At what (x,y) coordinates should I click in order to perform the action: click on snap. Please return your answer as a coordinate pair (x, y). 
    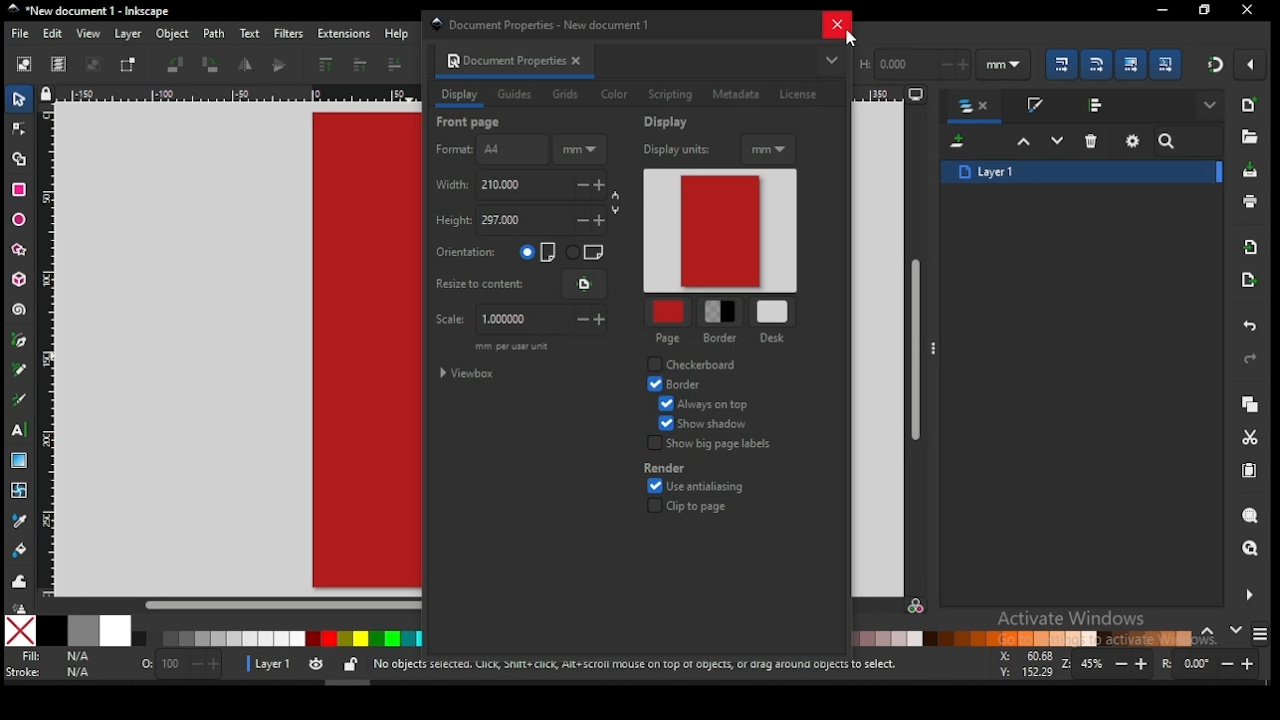
    Looking at the image, I should click on (1216, 64).